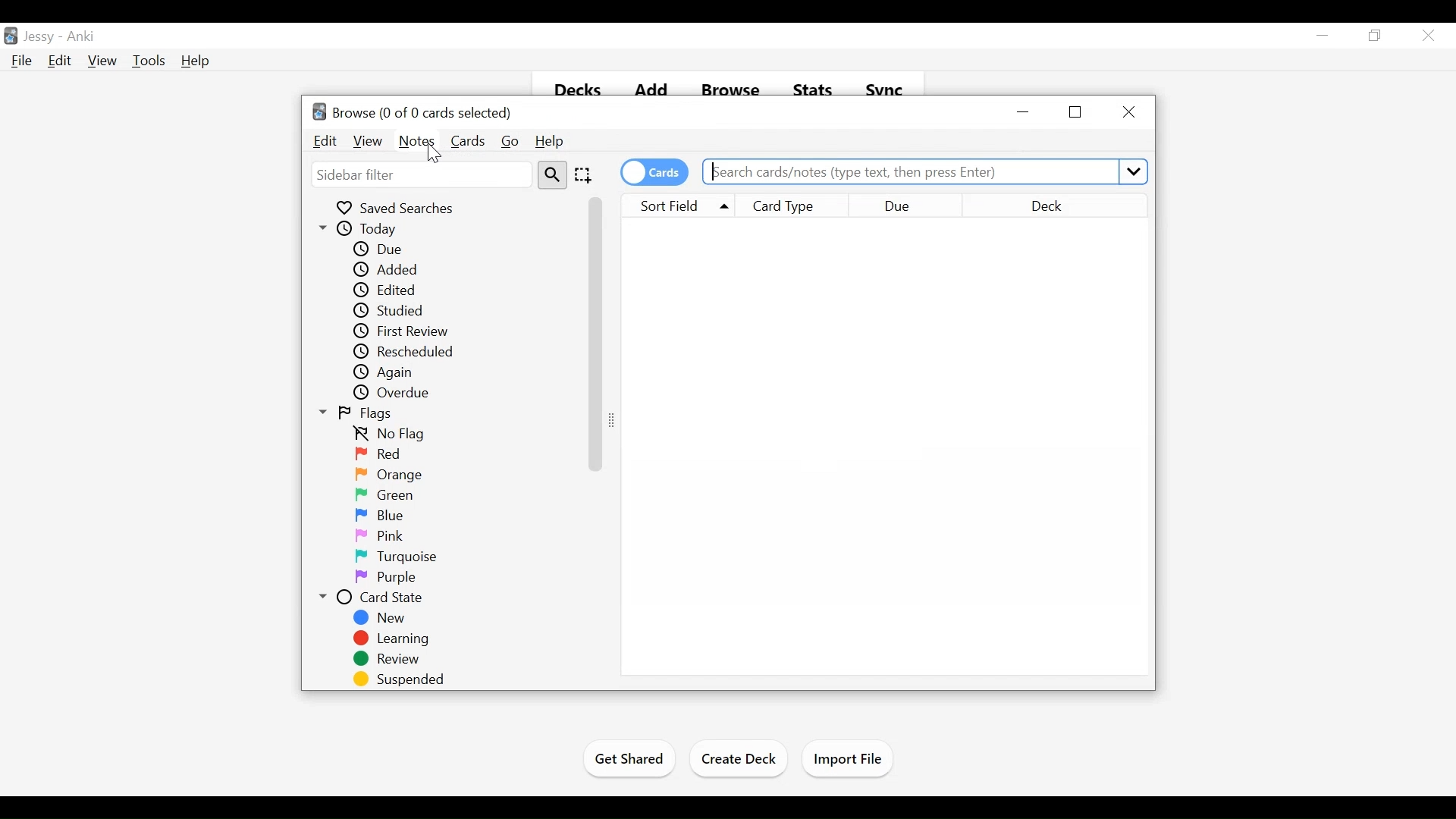  Describe the element at coordinates (399, 331) in the screenshot. I see `First Review` at that location.